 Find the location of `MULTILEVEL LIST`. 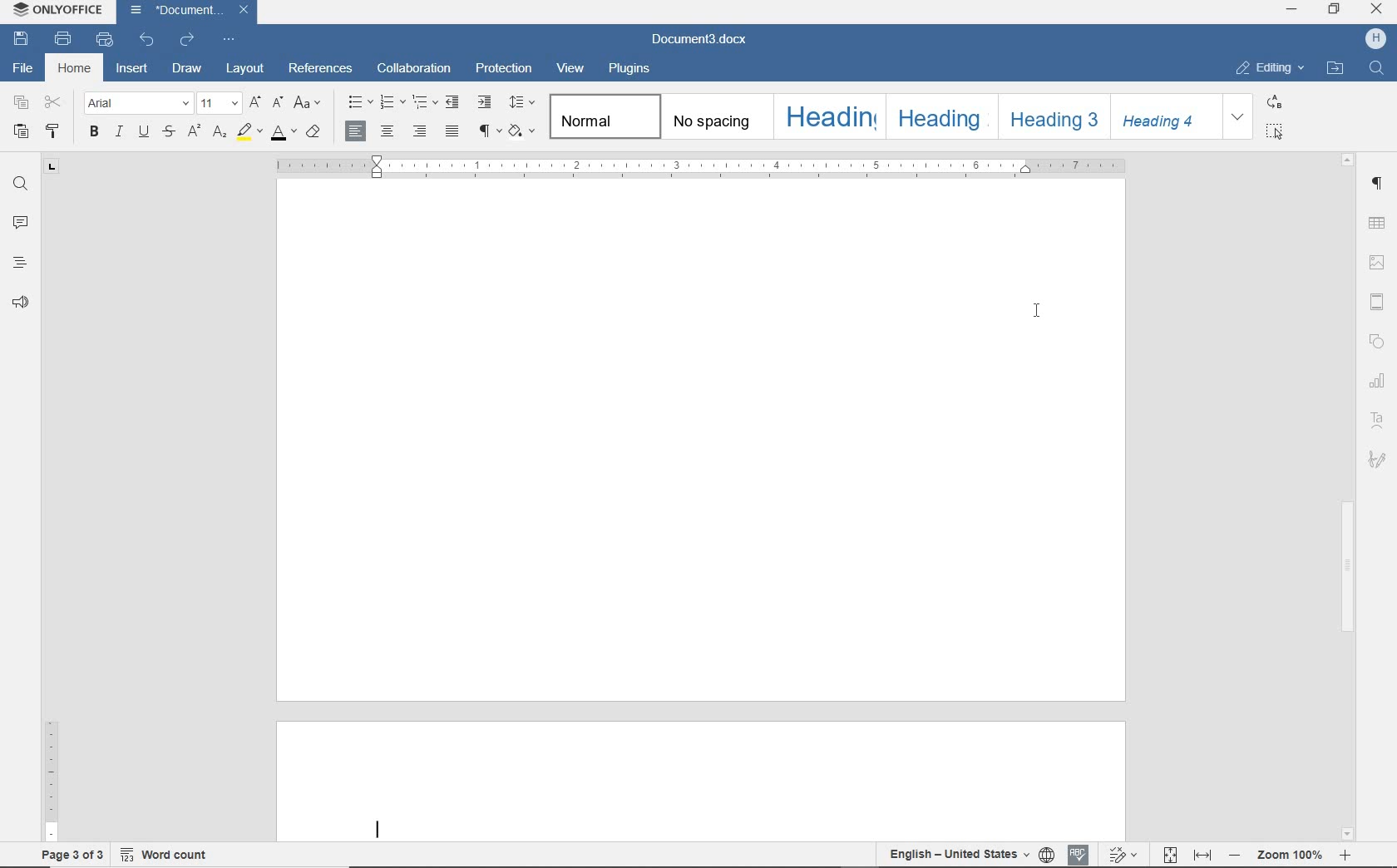

MULTILEVEL LIST is located at coordinates (422, 104).